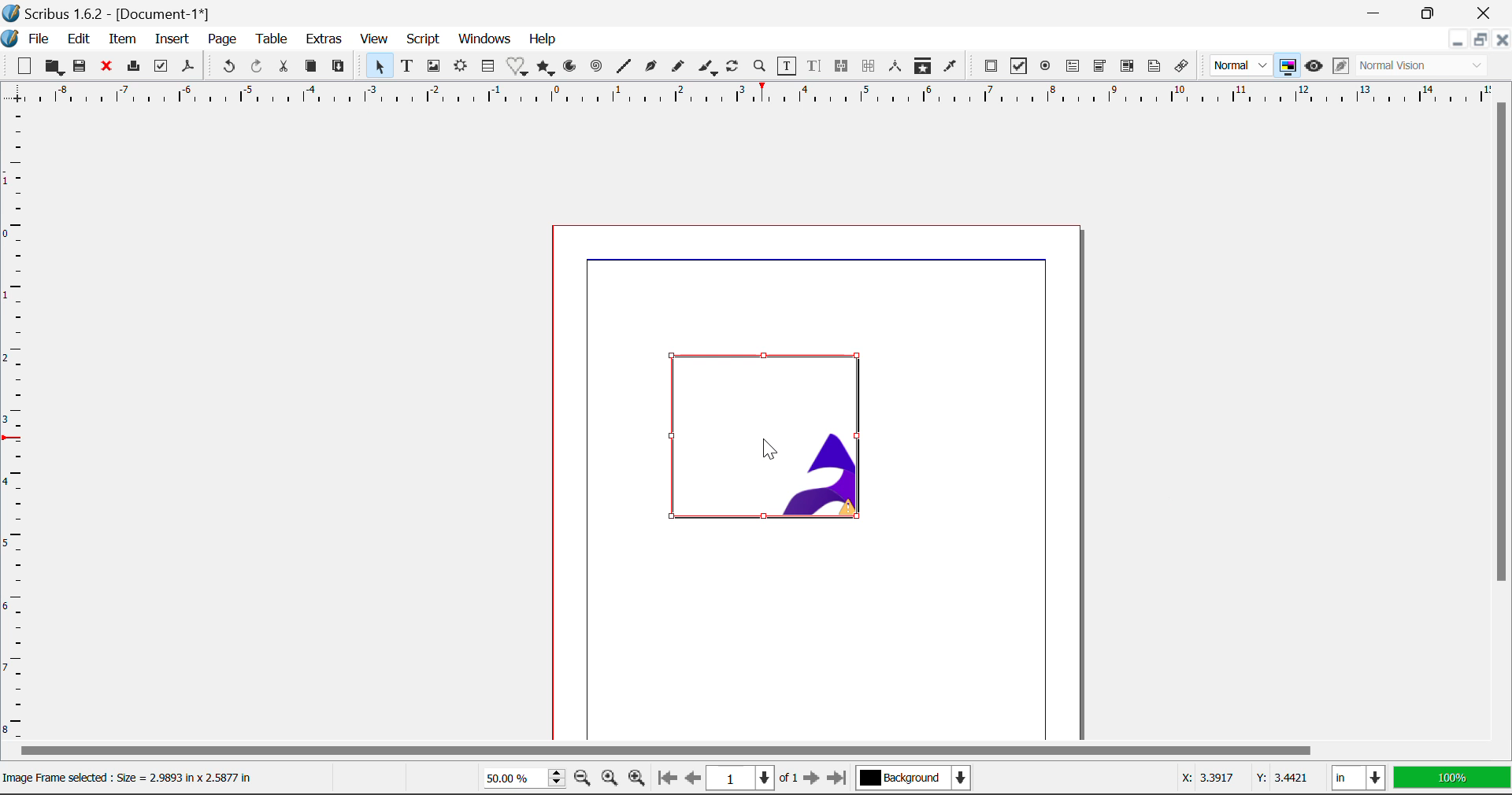 The height and width of the screenshot is (795, 1512). I want to click on Edit, so click(80, 39).